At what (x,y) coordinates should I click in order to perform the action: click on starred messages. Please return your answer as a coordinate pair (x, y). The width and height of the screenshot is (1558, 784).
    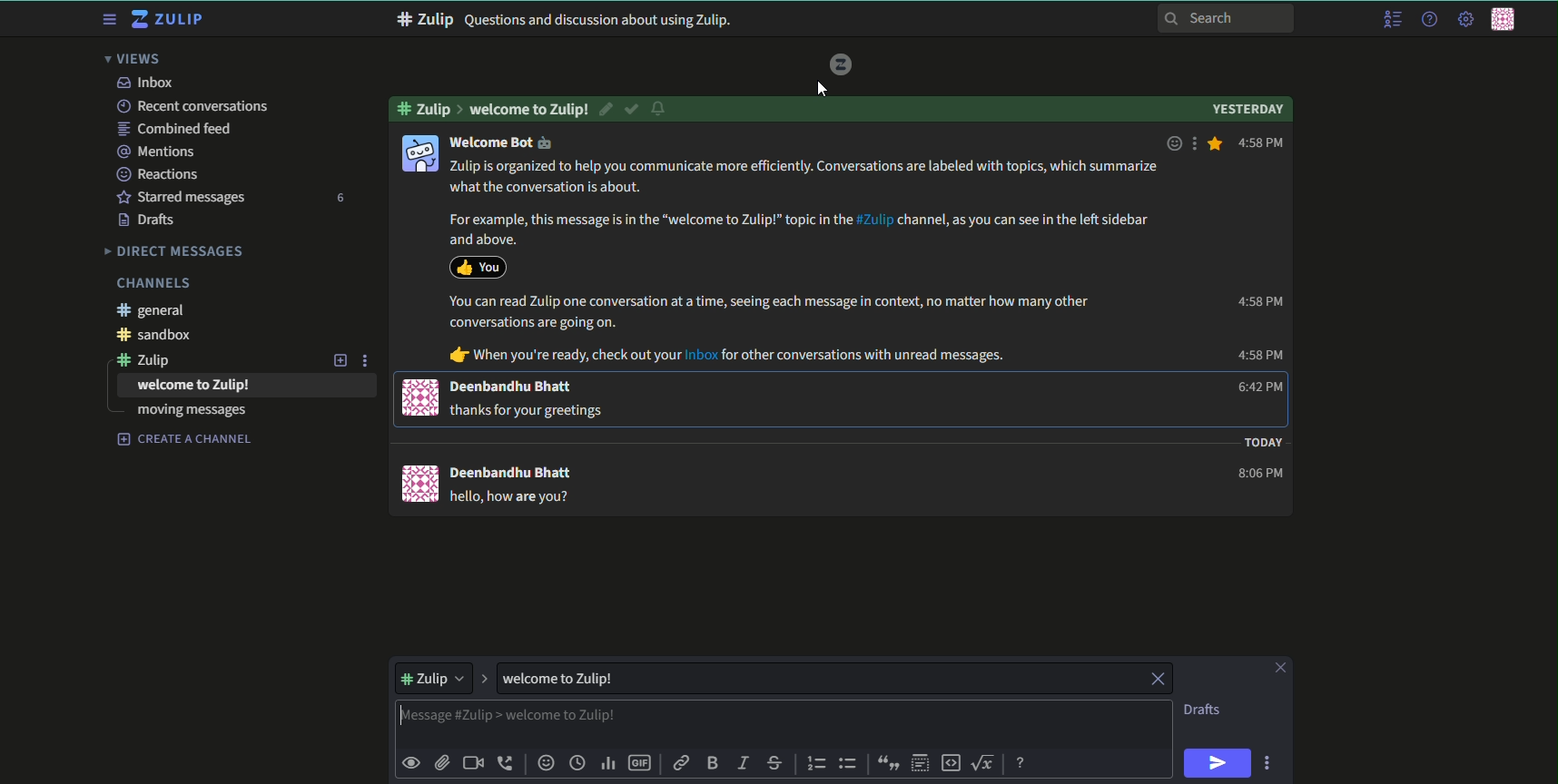
    Looking at the image, I should click on (181, 196).